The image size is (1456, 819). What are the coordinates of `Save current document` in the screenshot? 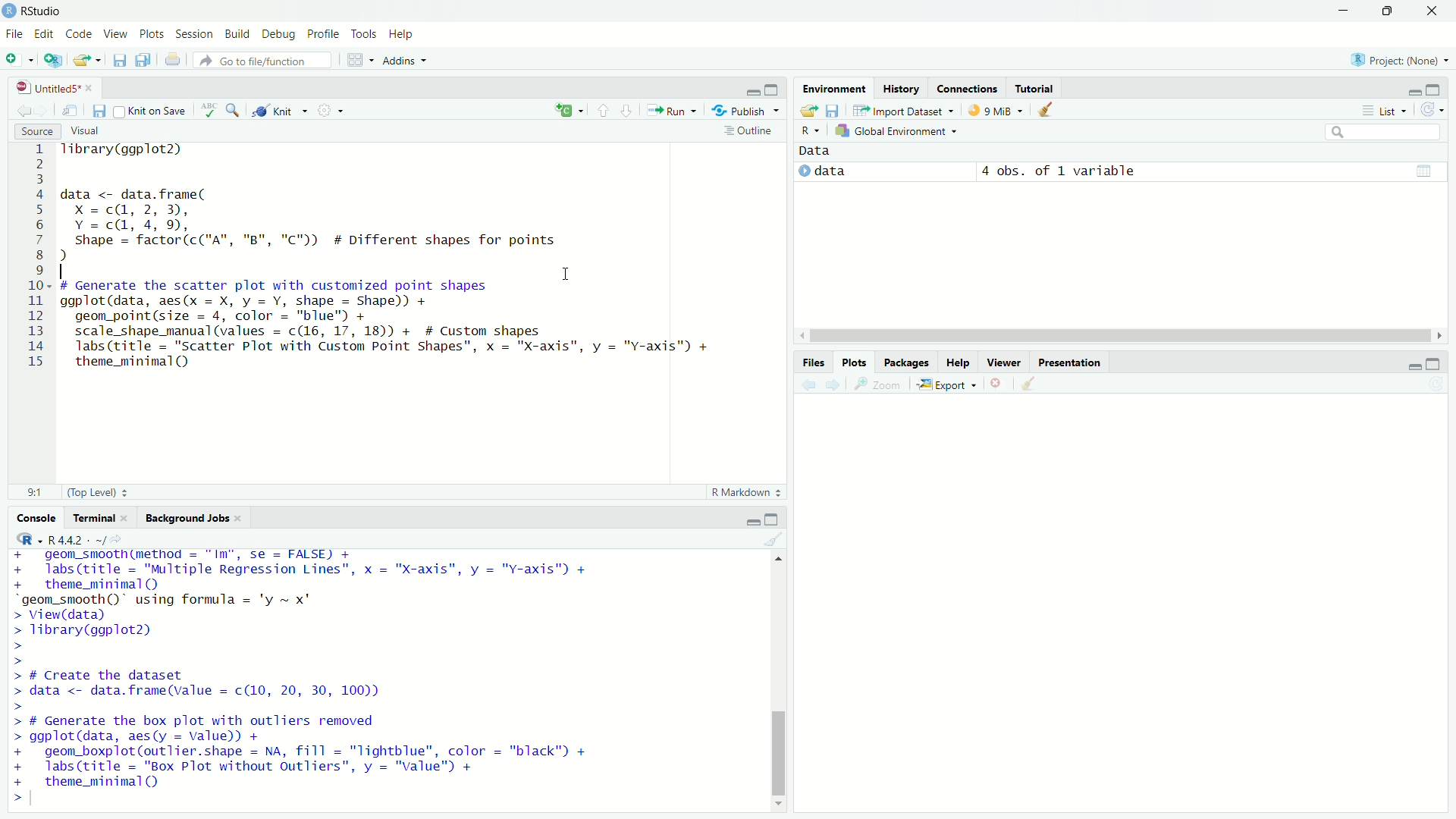 It's located at (99, 111).